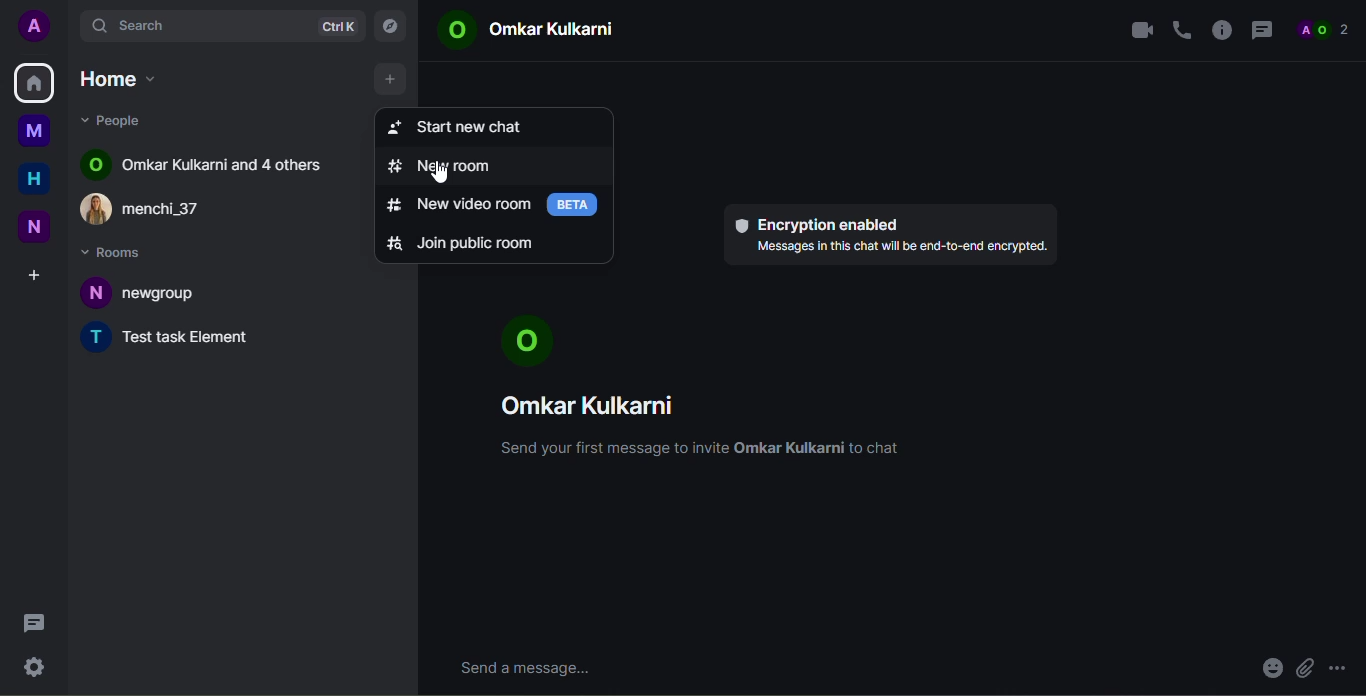  I want to click on add, so click(390, 78).